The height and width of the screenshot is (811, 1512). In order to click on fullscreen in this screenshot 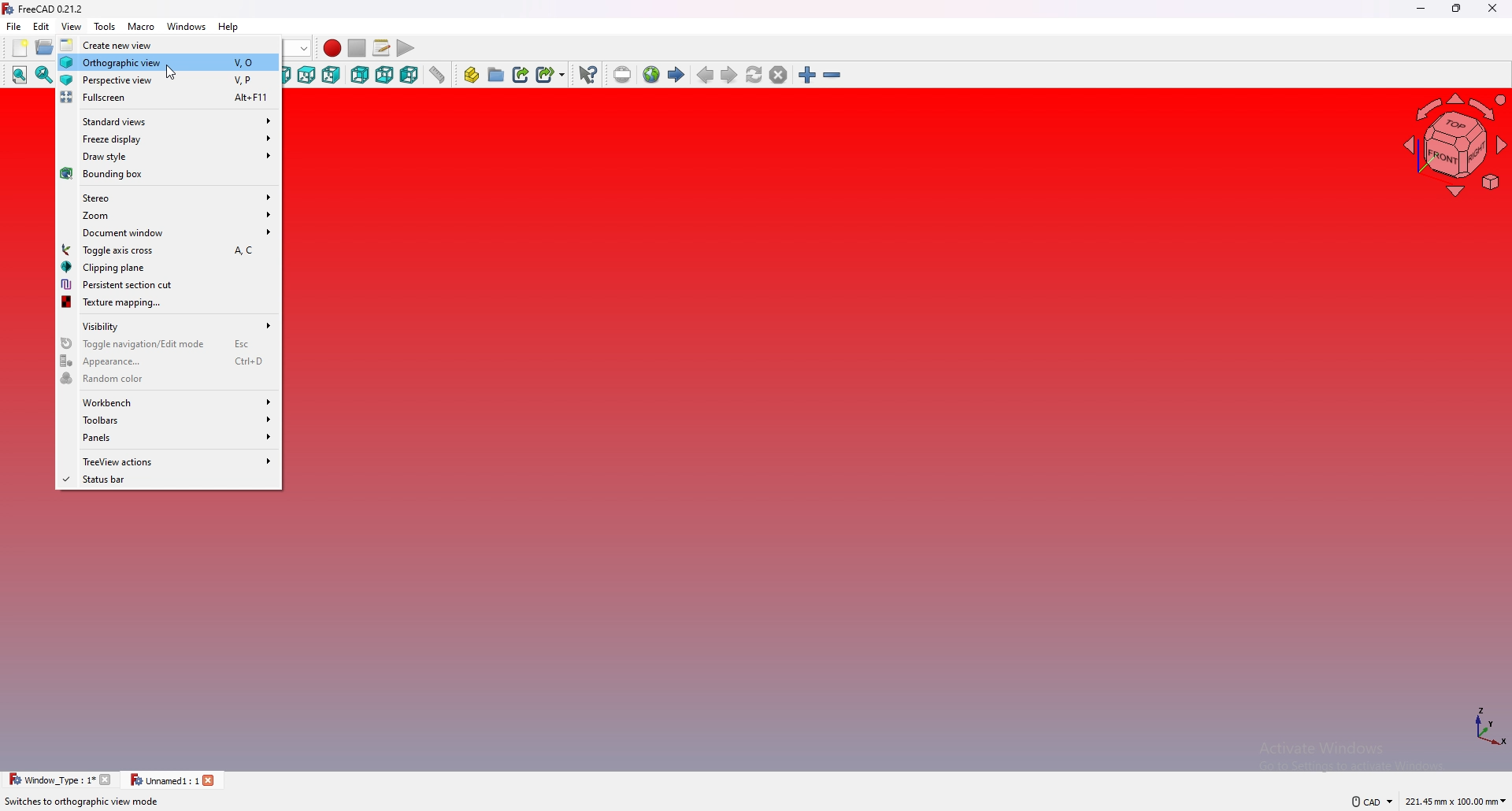, I will do `click(165, 97)`.